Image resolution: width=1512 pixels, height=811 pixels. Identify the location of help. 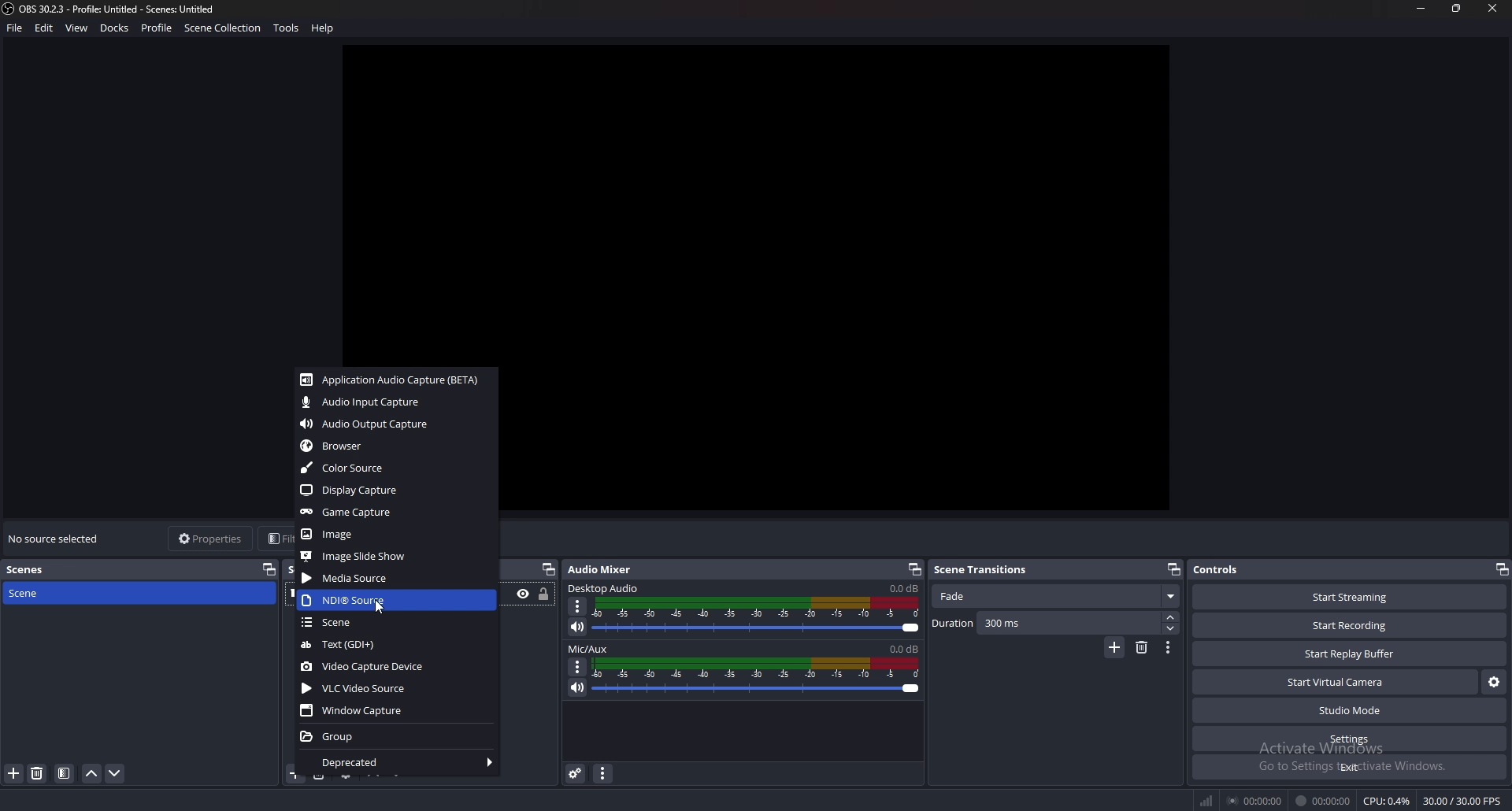
(324, 28).